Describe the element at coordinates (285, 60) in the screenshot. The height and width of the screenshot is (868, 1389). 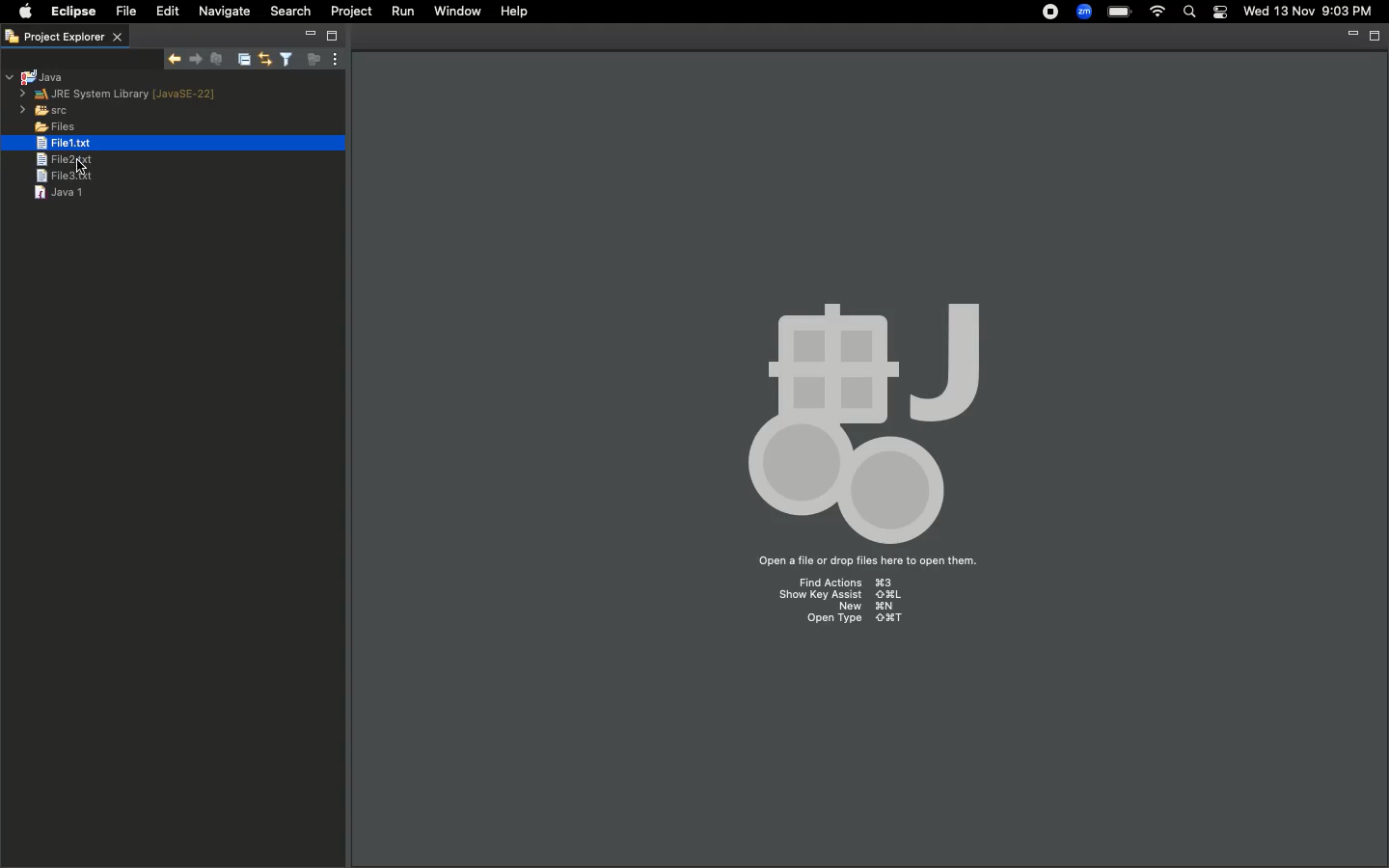
I see `Select and deselect filters ` at that location.